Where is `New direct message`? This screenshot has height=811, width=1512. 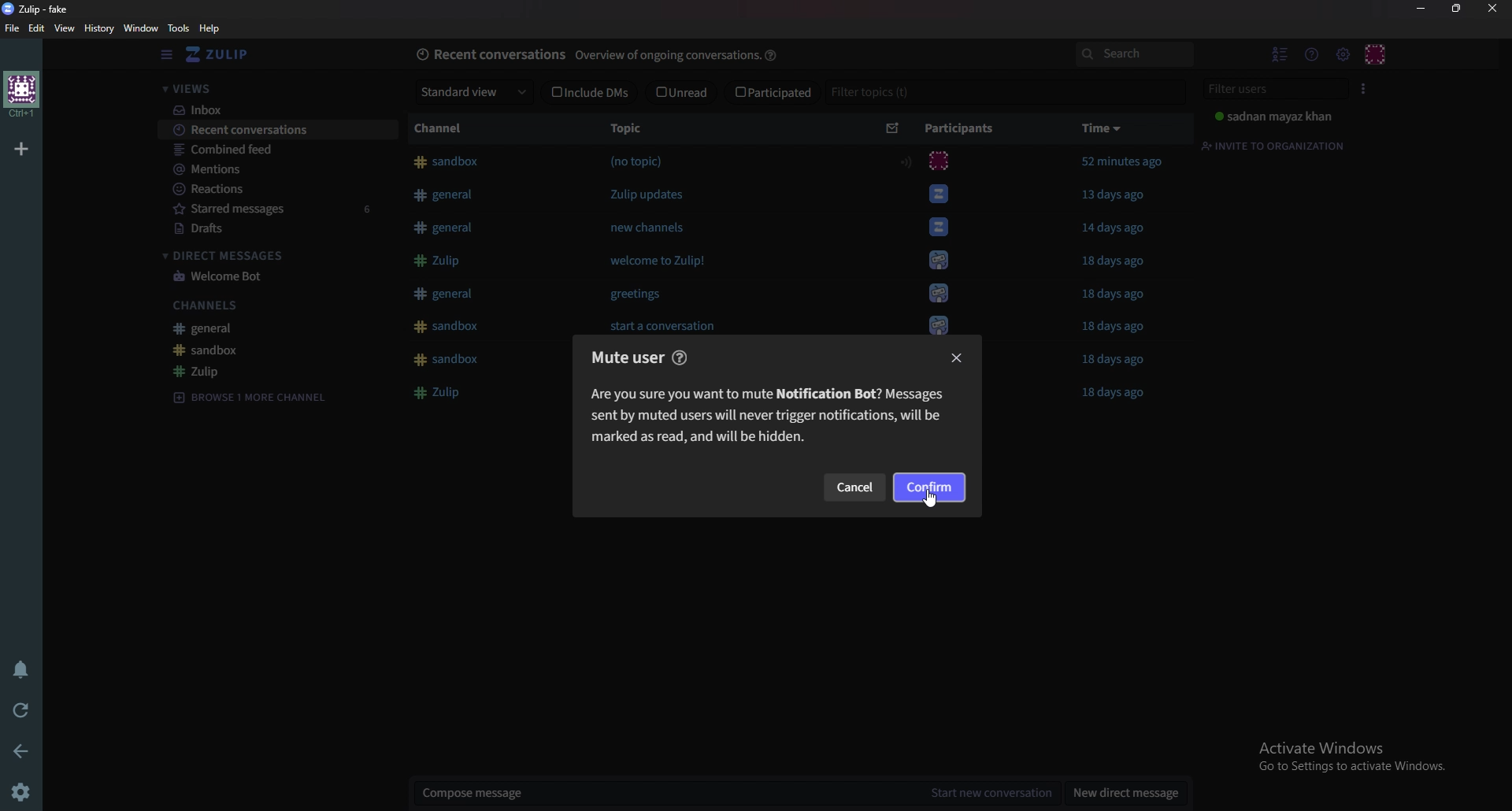 New direct message is located at coordinates (1122, 792).